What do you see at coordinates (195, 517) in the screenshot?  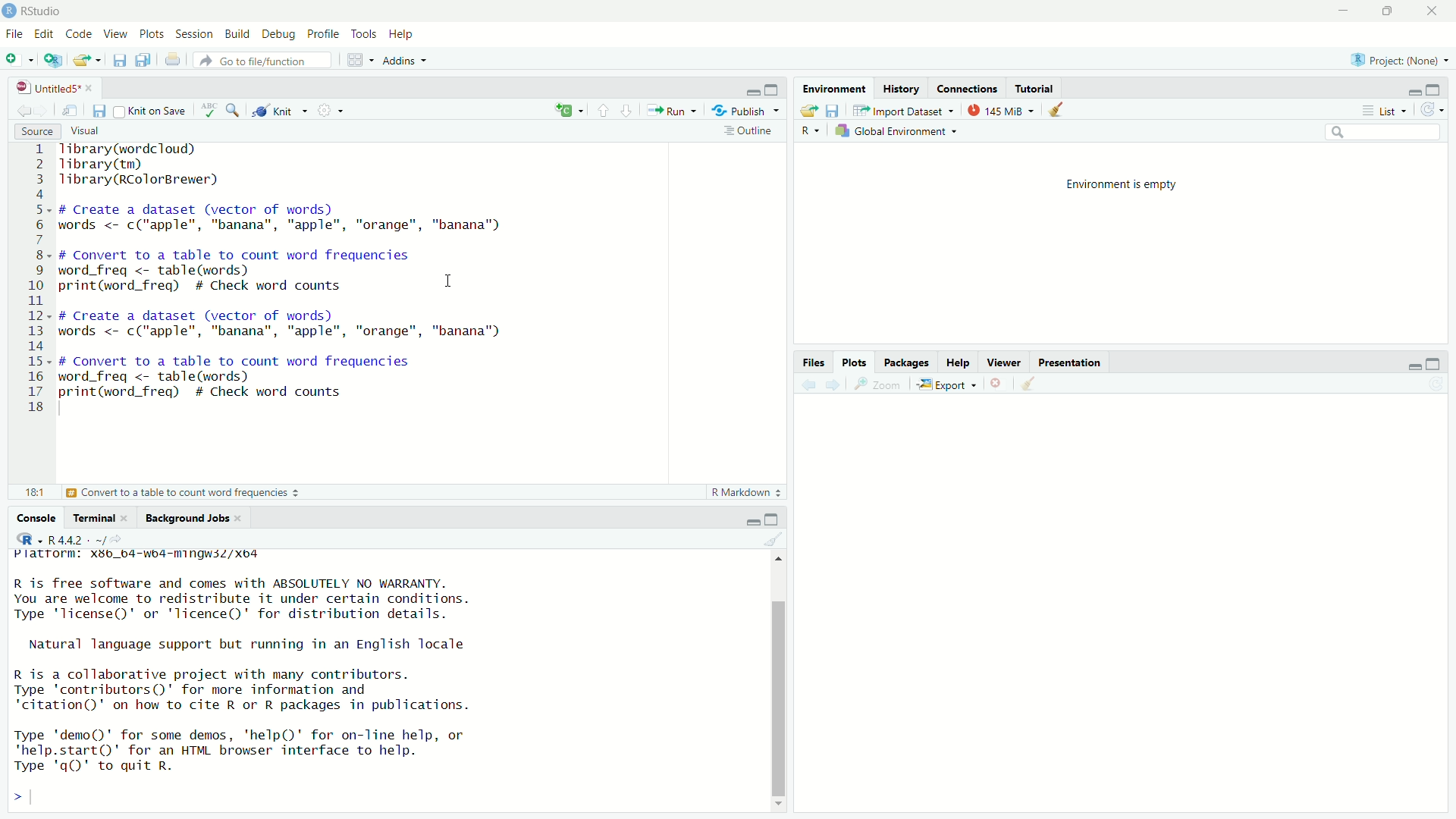 I see `Background Jobs` at bounding box center [195, 517].